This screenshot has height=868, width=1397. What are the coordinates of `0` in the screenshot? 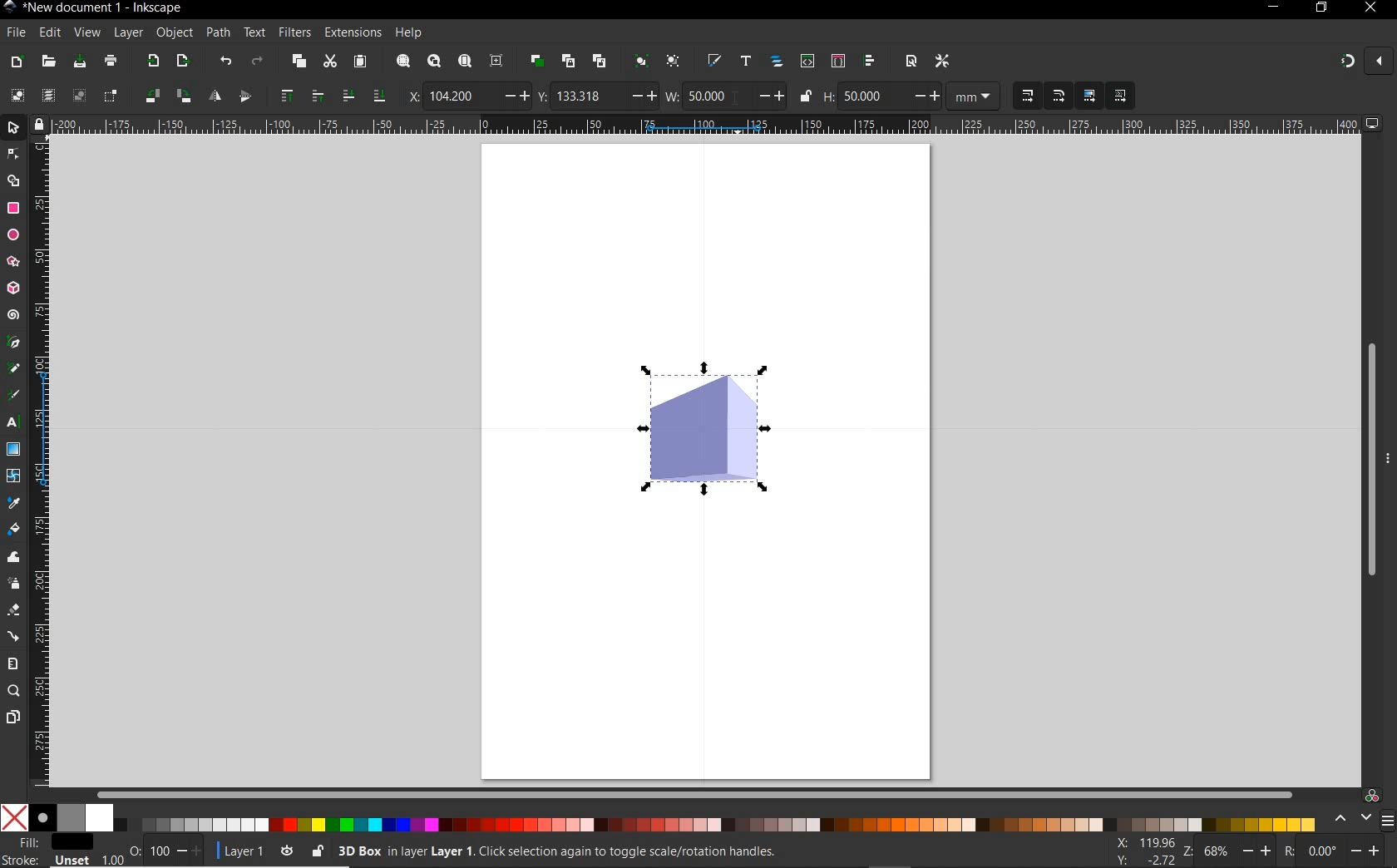 It's located at (1321, 851).